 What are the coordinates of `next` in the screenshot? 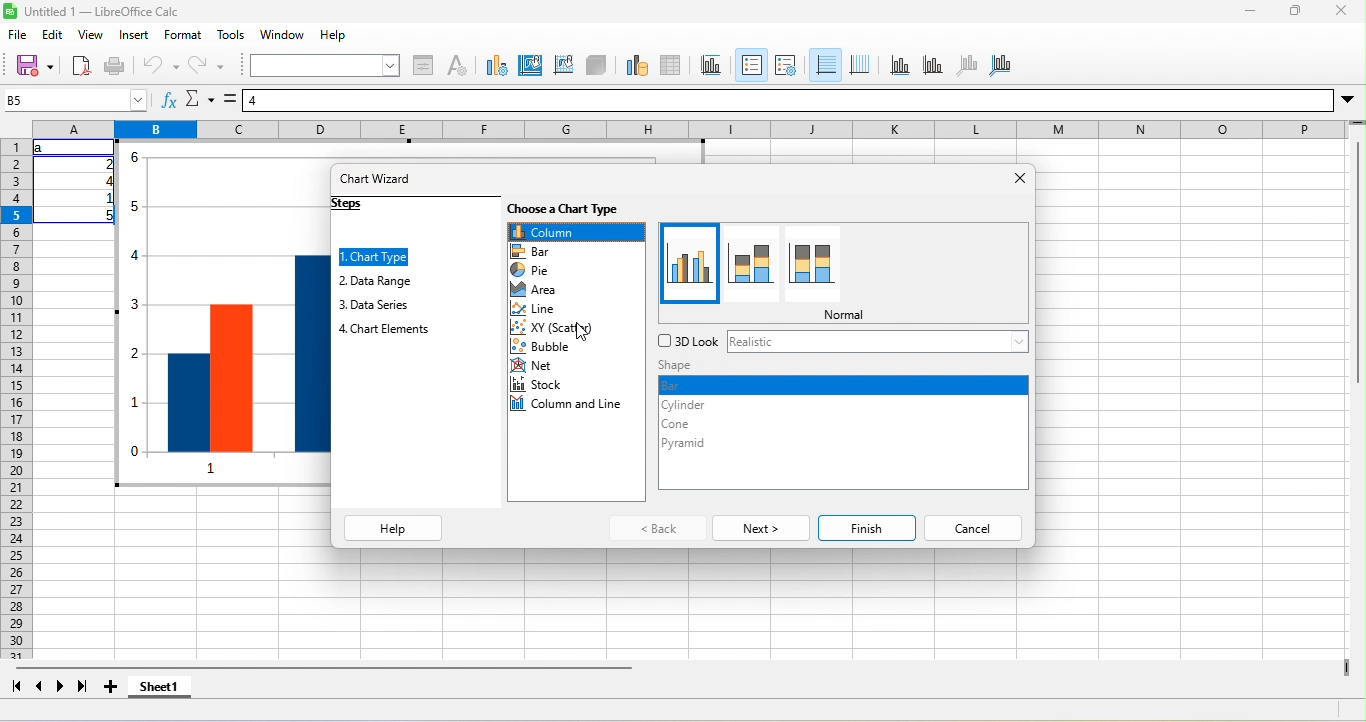 It's located at (762, 528).